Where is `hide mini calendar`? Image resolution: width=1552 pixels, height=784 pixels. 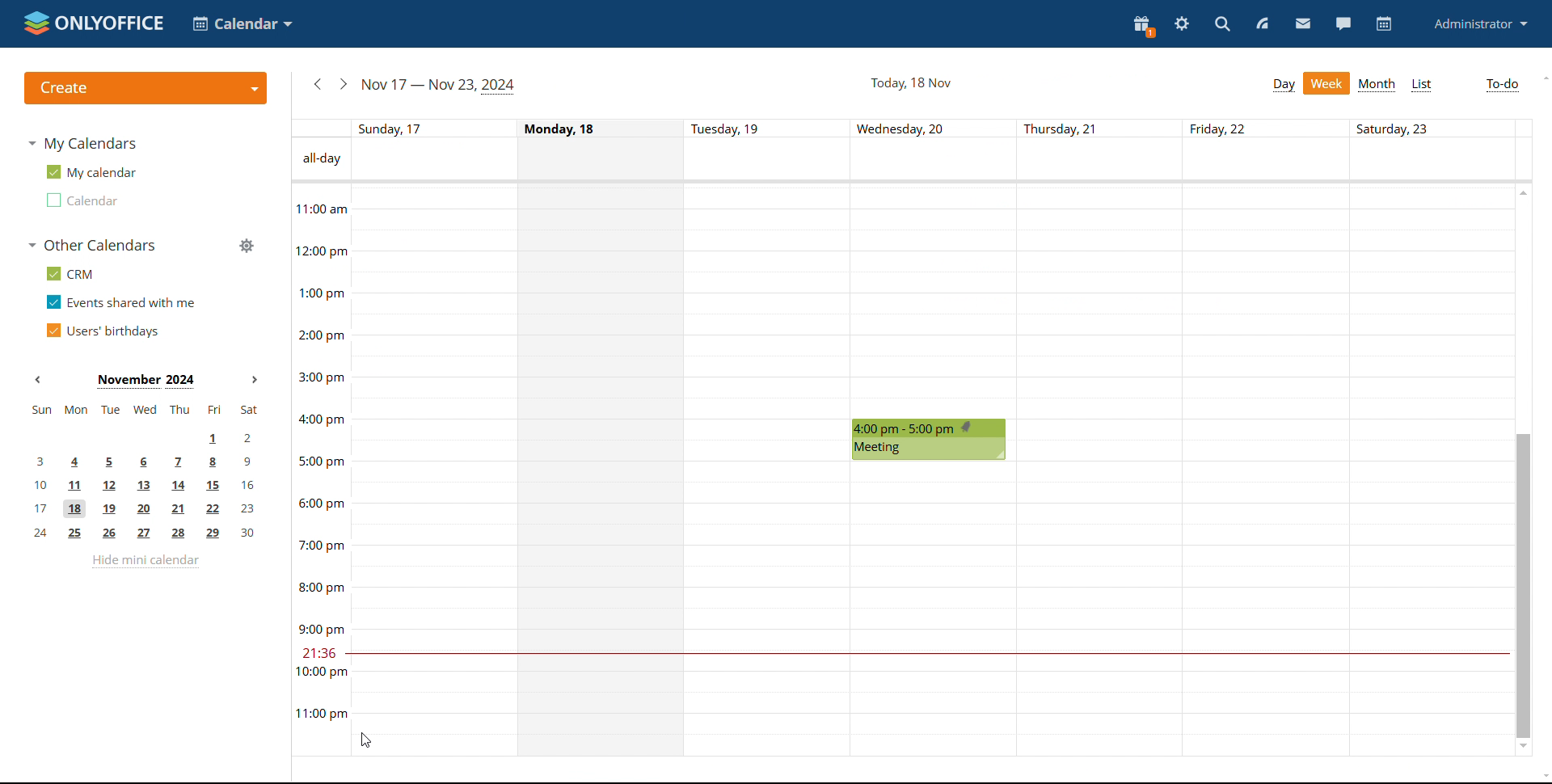
hide mini calendar is located at coordinates (145, 561).